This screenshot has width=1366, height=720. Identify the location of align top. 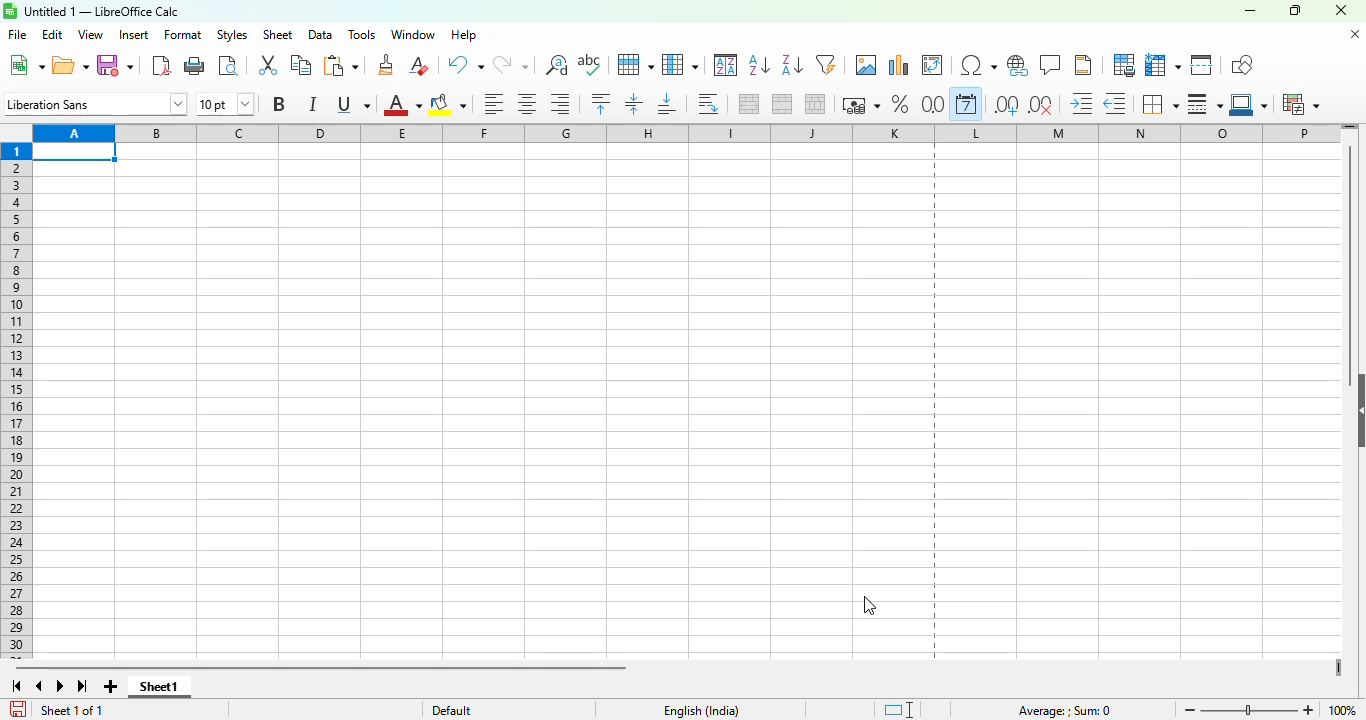
(600, 104).